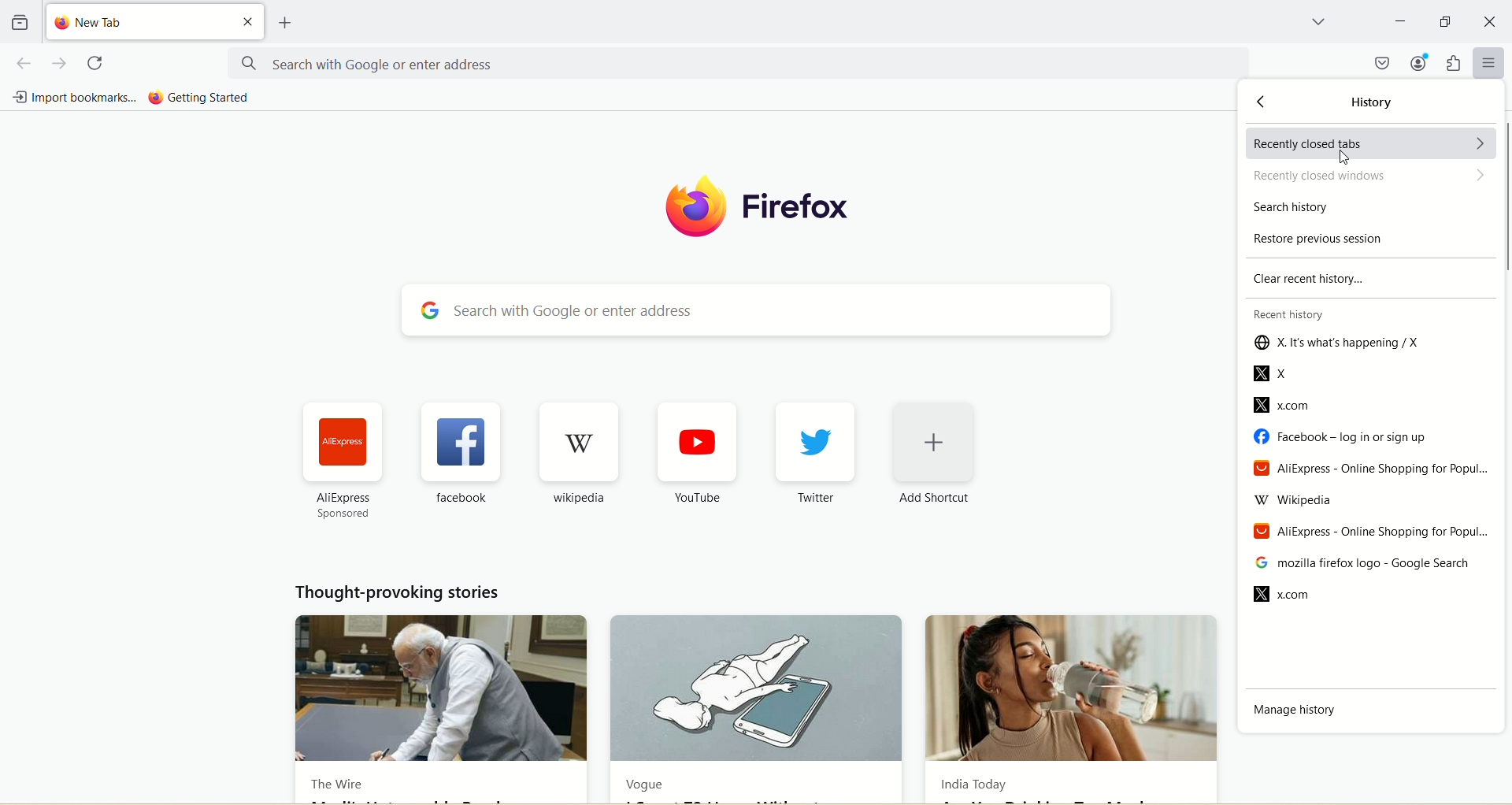  What do you see at coordinates (1347, 343) in the screenshot?
I see `X. it's what happening` at bounding box center [1347, 343].